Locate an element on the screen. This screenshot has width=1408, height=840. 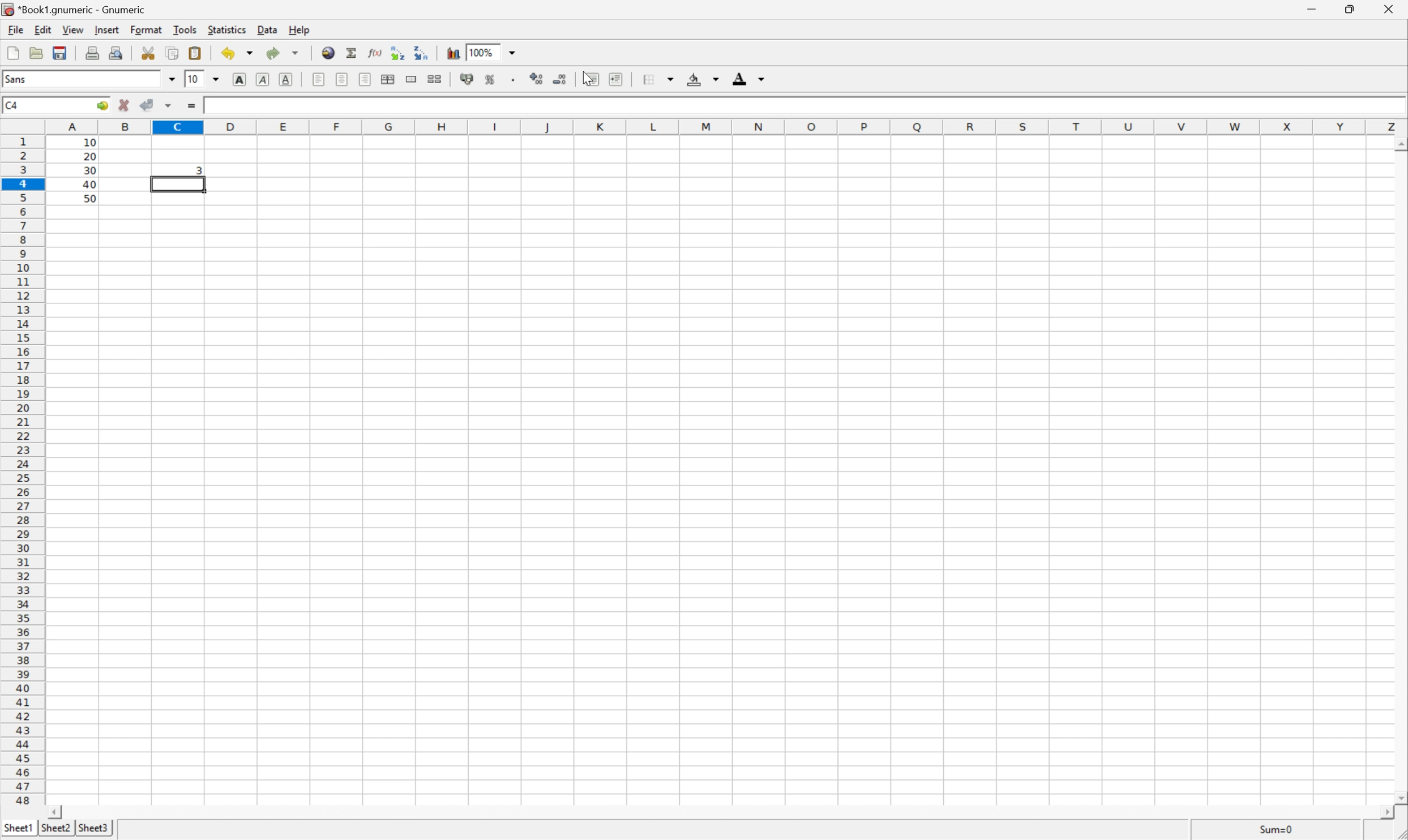
Sort the selected region in ascending order based on the first column selected is located at coordinates (398, 53).